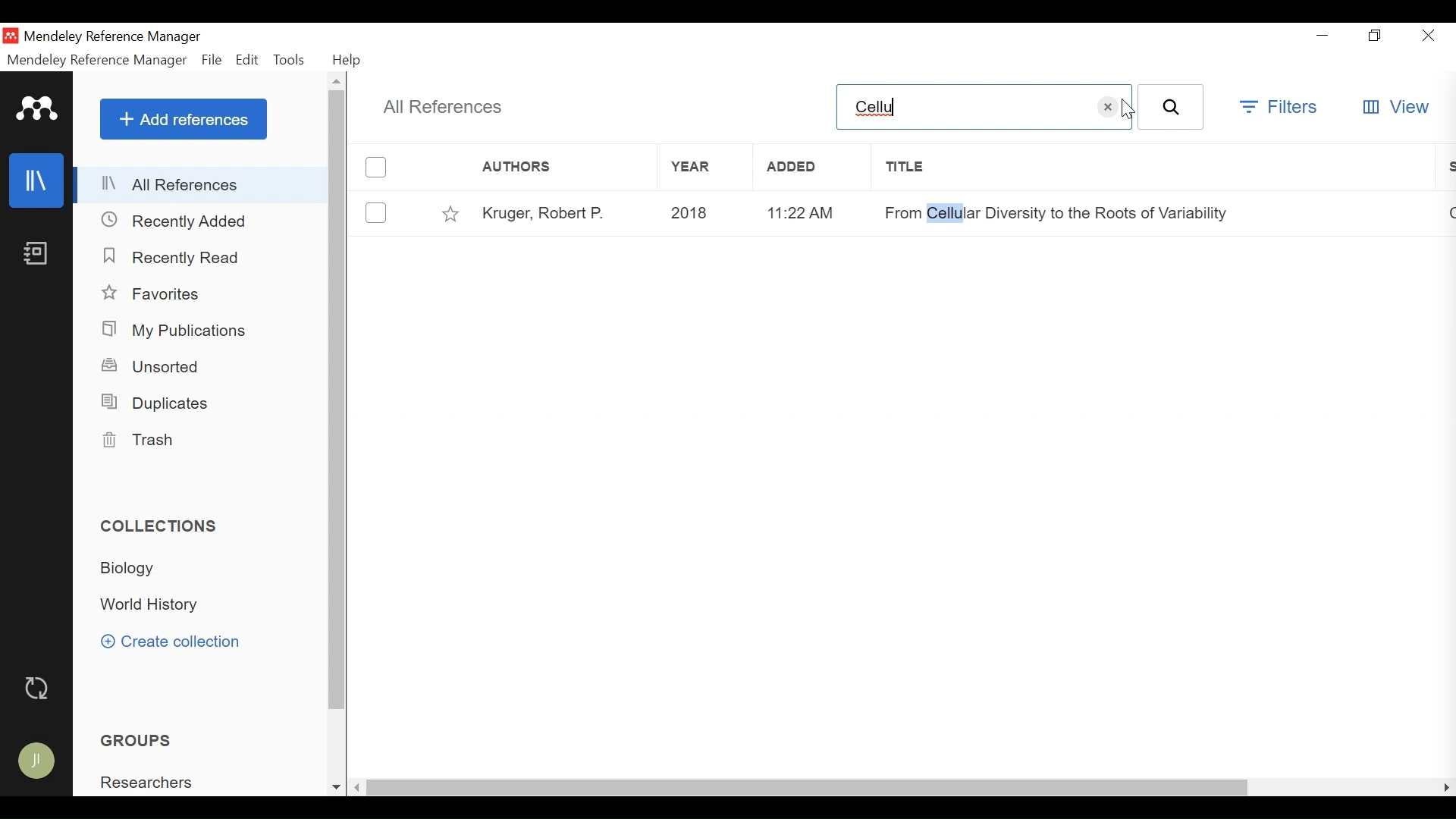 The width and height of the screenshot is (1456, 819). Describe the element at coordinates (36, 688) in the screenshot. I see `Sync` at that location.